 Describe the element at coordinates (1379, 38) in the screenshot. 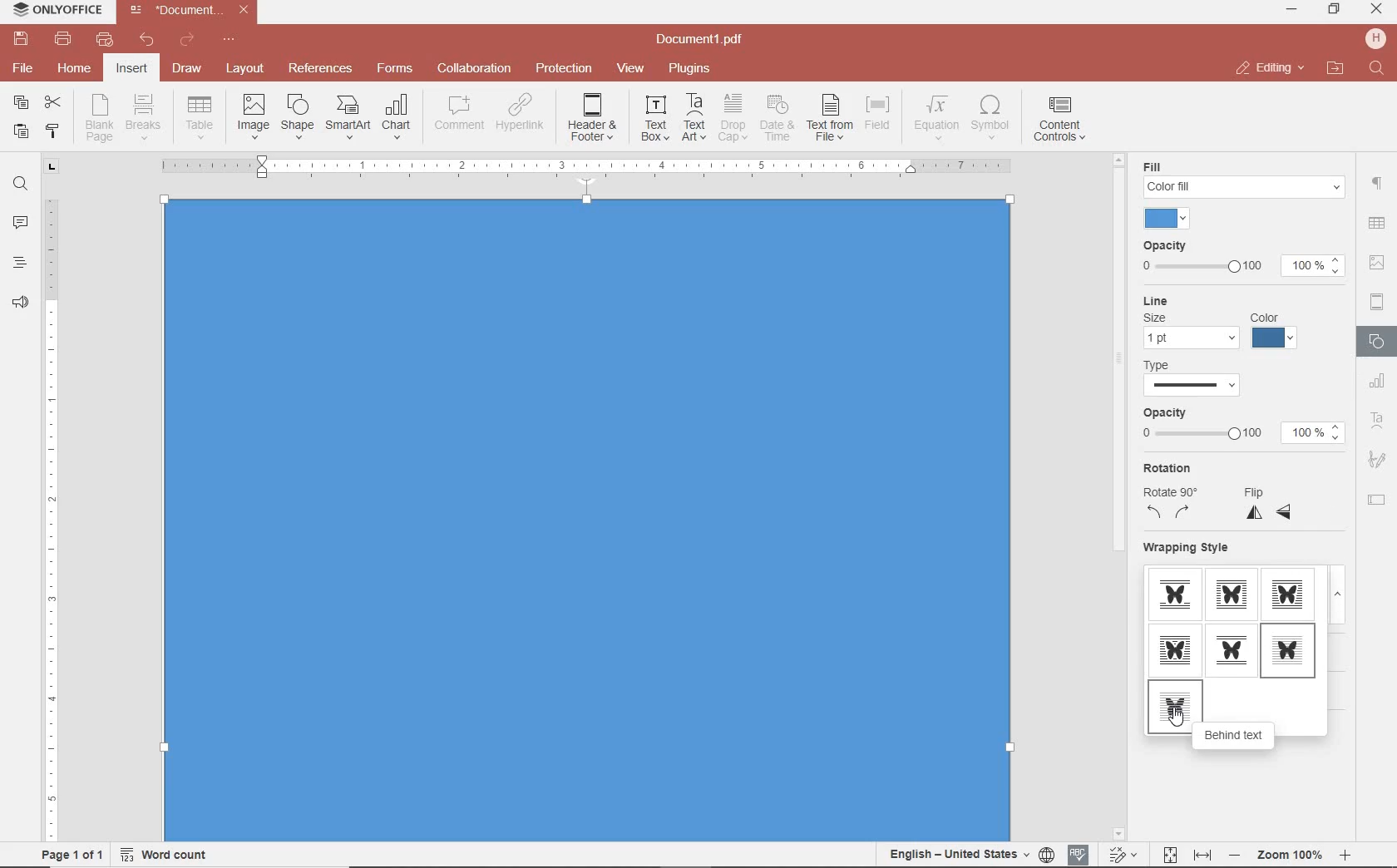

I see `hp` at that location.